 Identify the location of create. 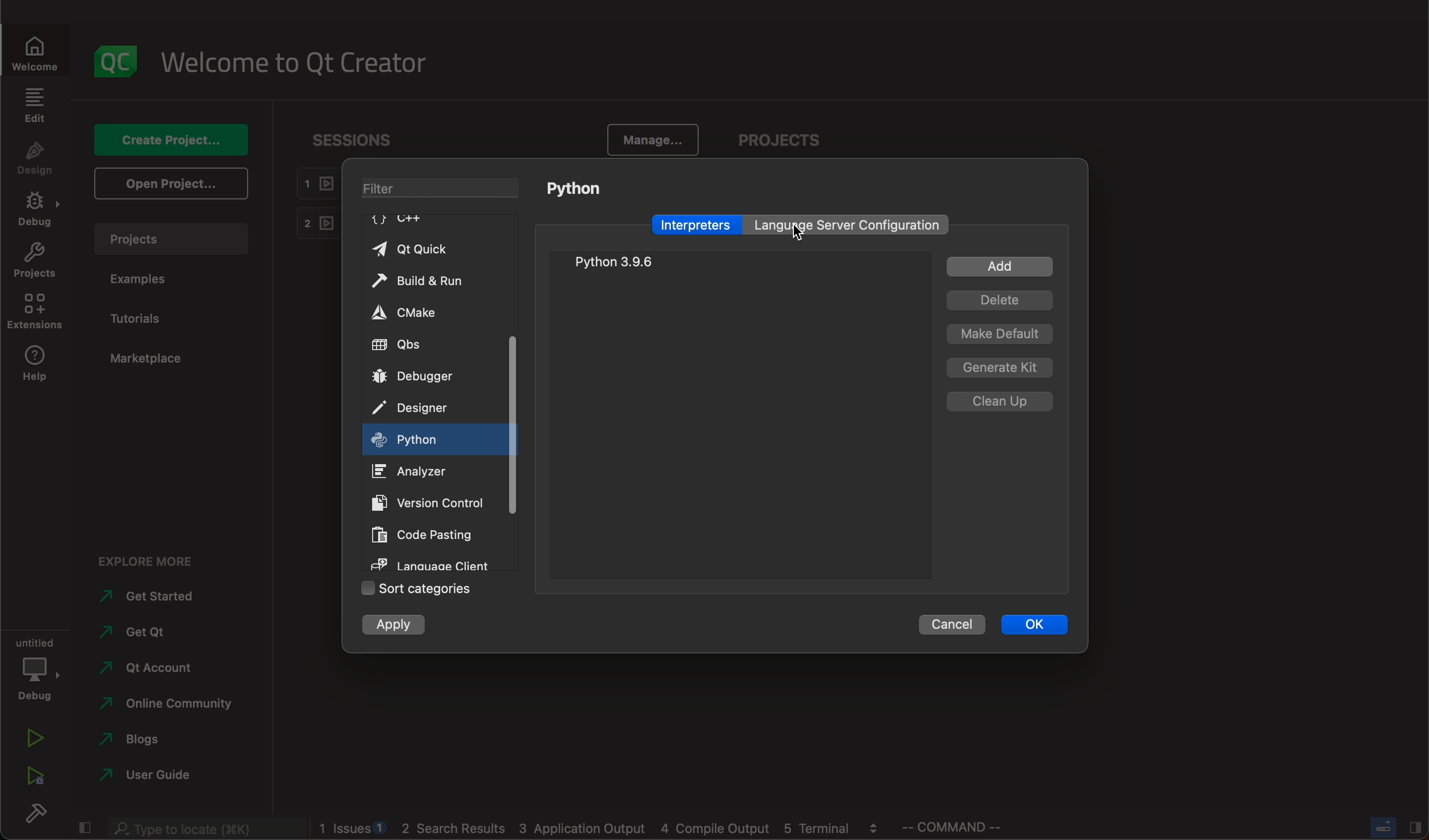
(168, 139).